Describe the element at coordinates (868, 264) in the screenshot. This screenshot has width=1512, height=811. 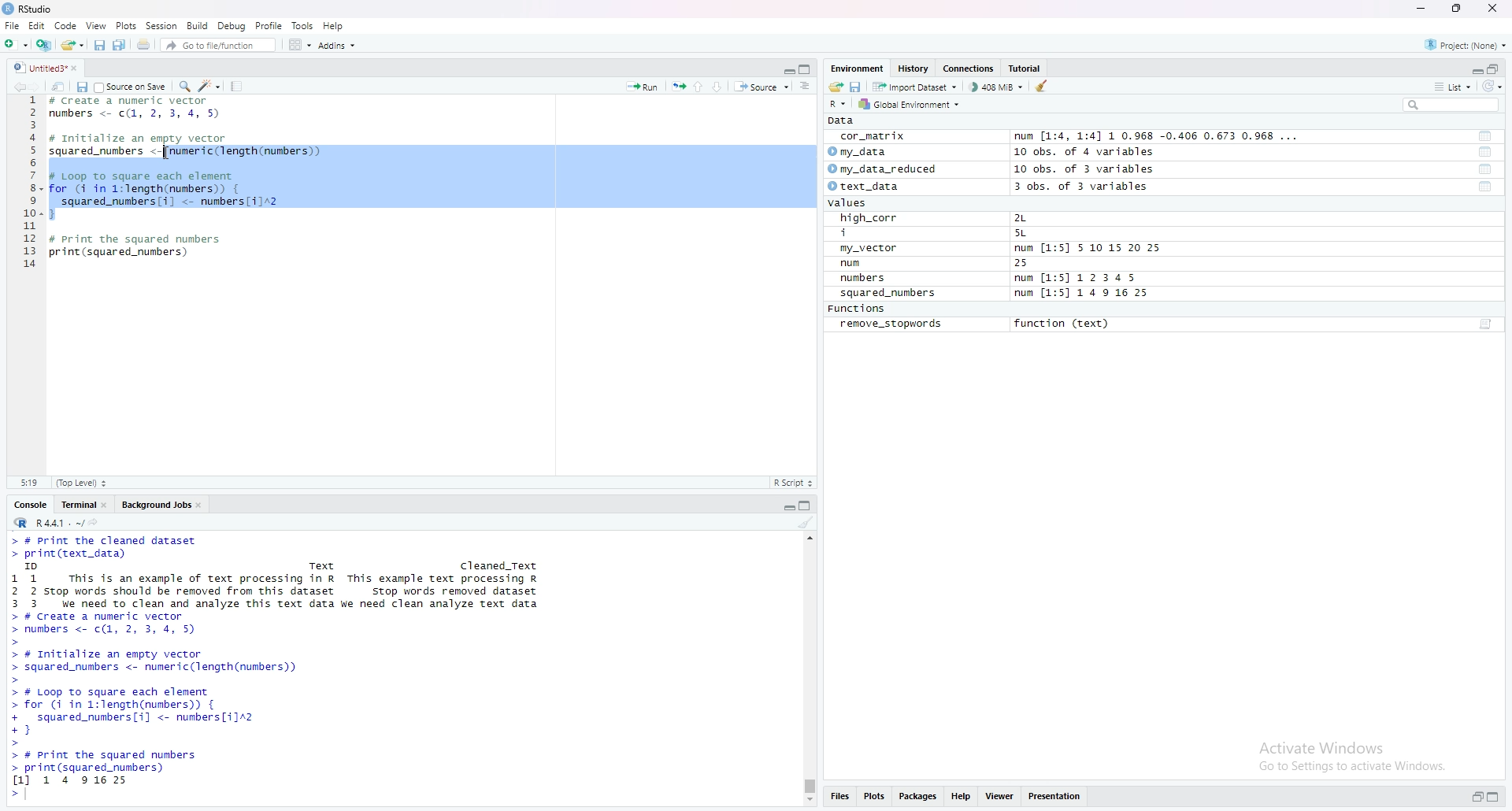
I see `num` at that location.